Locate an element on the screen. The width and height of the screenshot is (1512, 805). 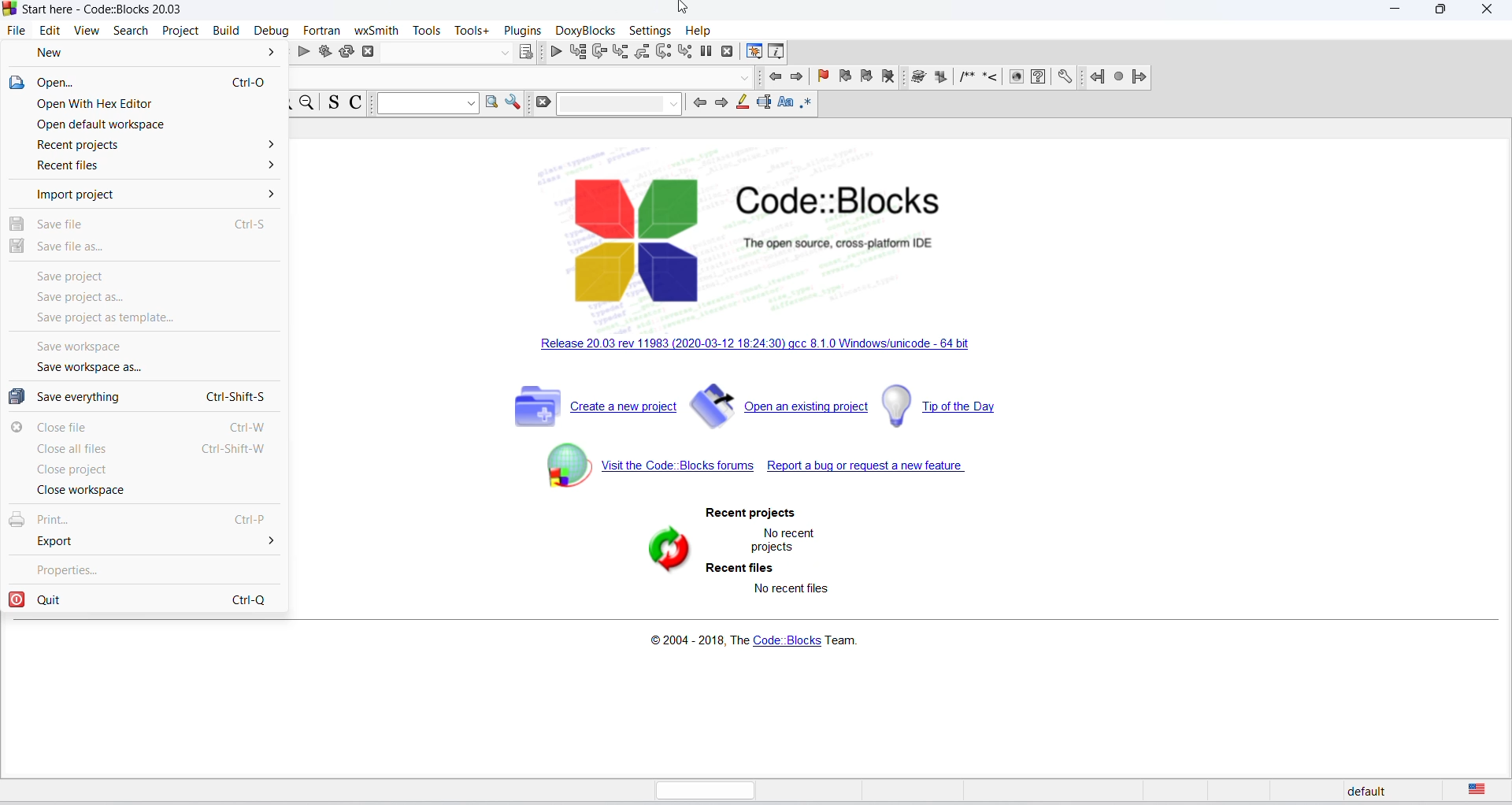
tools is located at coordinates (427, 31).